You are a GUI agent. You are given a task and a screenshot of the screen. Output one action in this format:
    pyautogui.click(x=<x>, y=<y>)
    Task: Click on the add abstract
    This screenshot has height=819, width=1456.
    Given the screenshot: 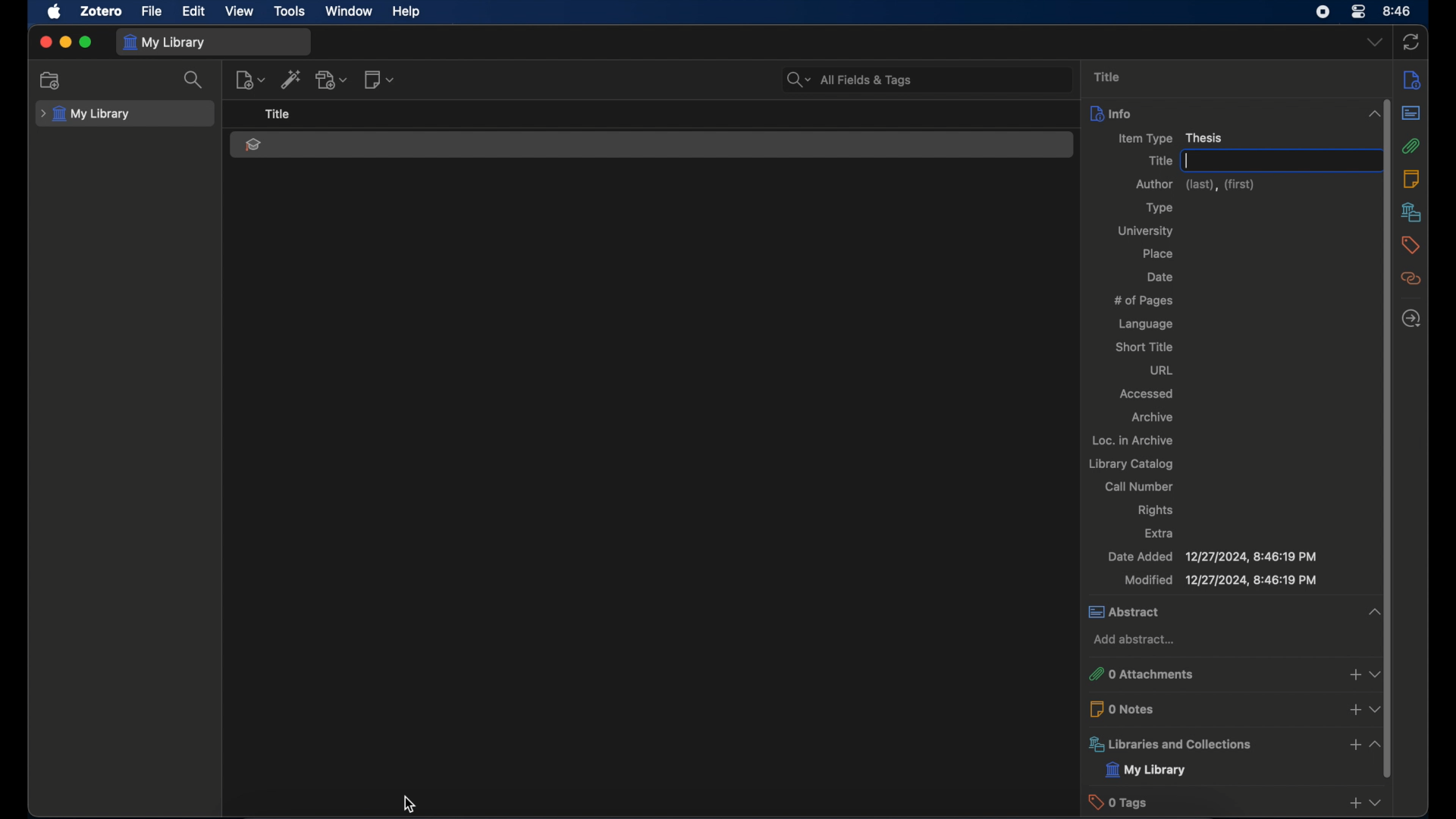 What is the action you would take?
    pyautogui.click(x=1133, y=640)
    